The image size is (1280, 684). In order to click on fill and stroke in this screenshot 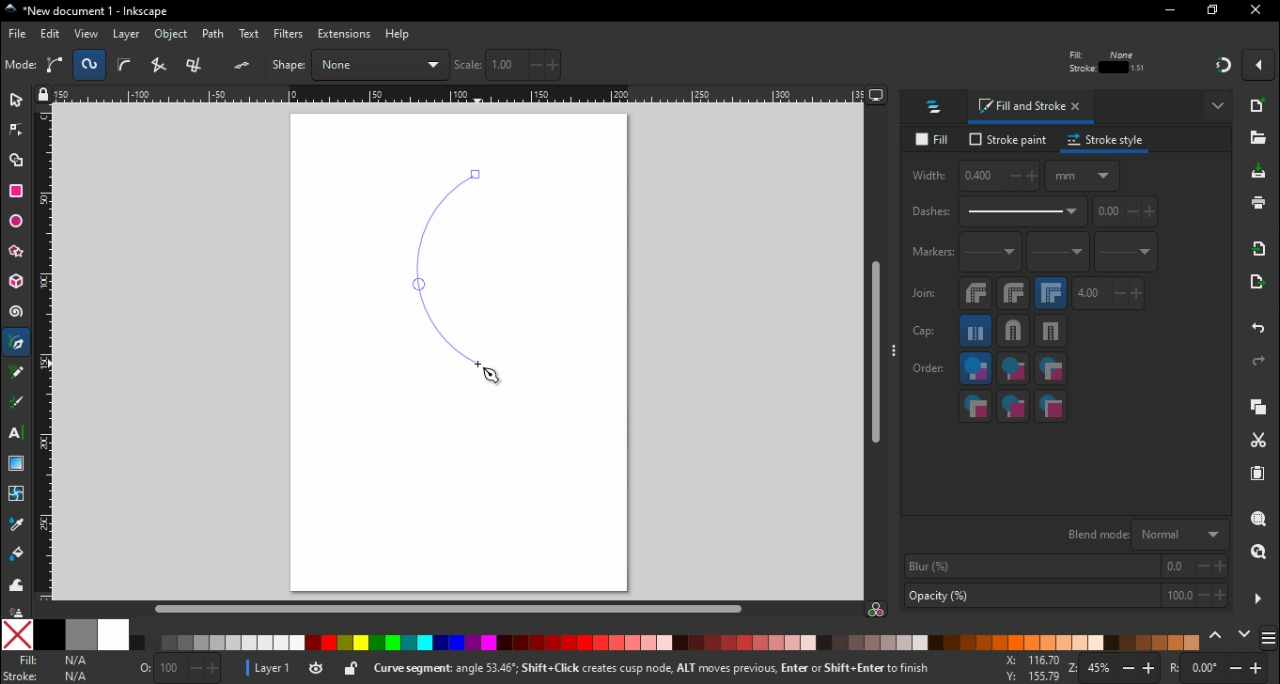, I will do `click(1032, 109)`.